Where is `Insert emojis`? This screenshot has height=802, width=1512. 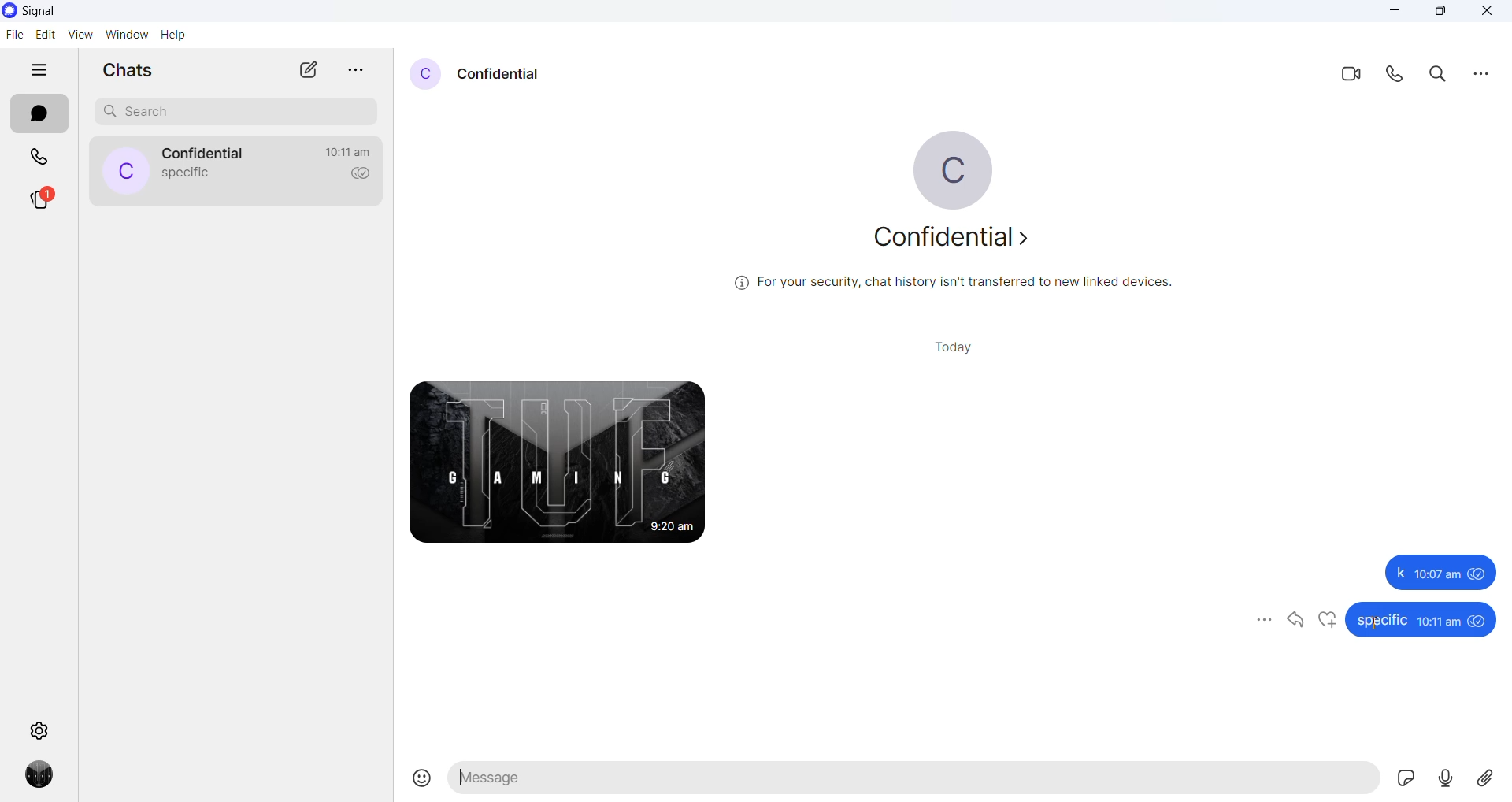
Insert emojis is located at coordinates (415, 779).